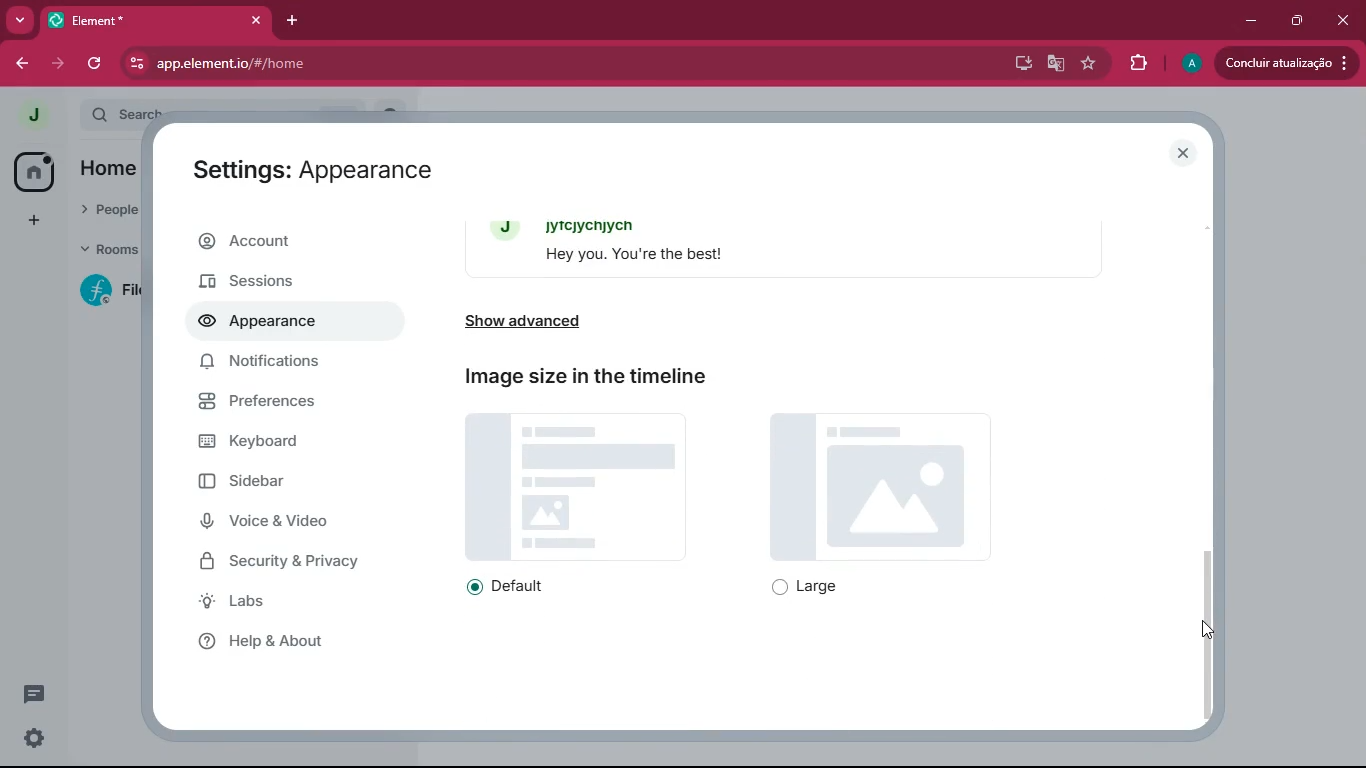 The width and height of the screenshot is (1366, 768). What do you see at coordinates (286, 486) in the screenshot?
I see `sidebar` at bounding box center [286, 486].